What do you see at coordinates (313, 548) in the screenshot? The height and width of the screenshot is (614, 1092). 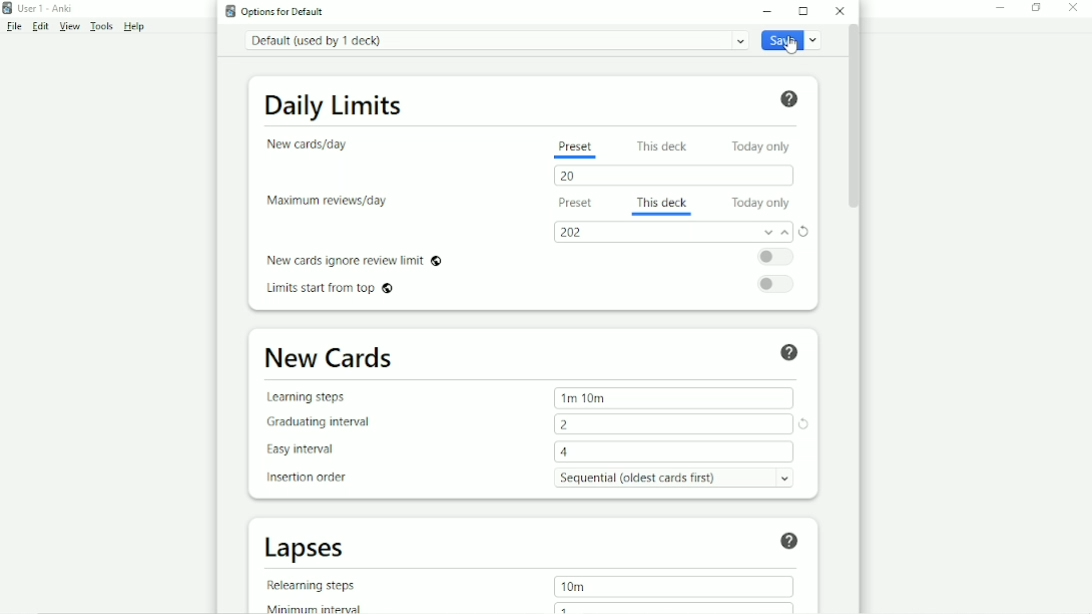 I see `Lapses` at bounding box center [313, 548].